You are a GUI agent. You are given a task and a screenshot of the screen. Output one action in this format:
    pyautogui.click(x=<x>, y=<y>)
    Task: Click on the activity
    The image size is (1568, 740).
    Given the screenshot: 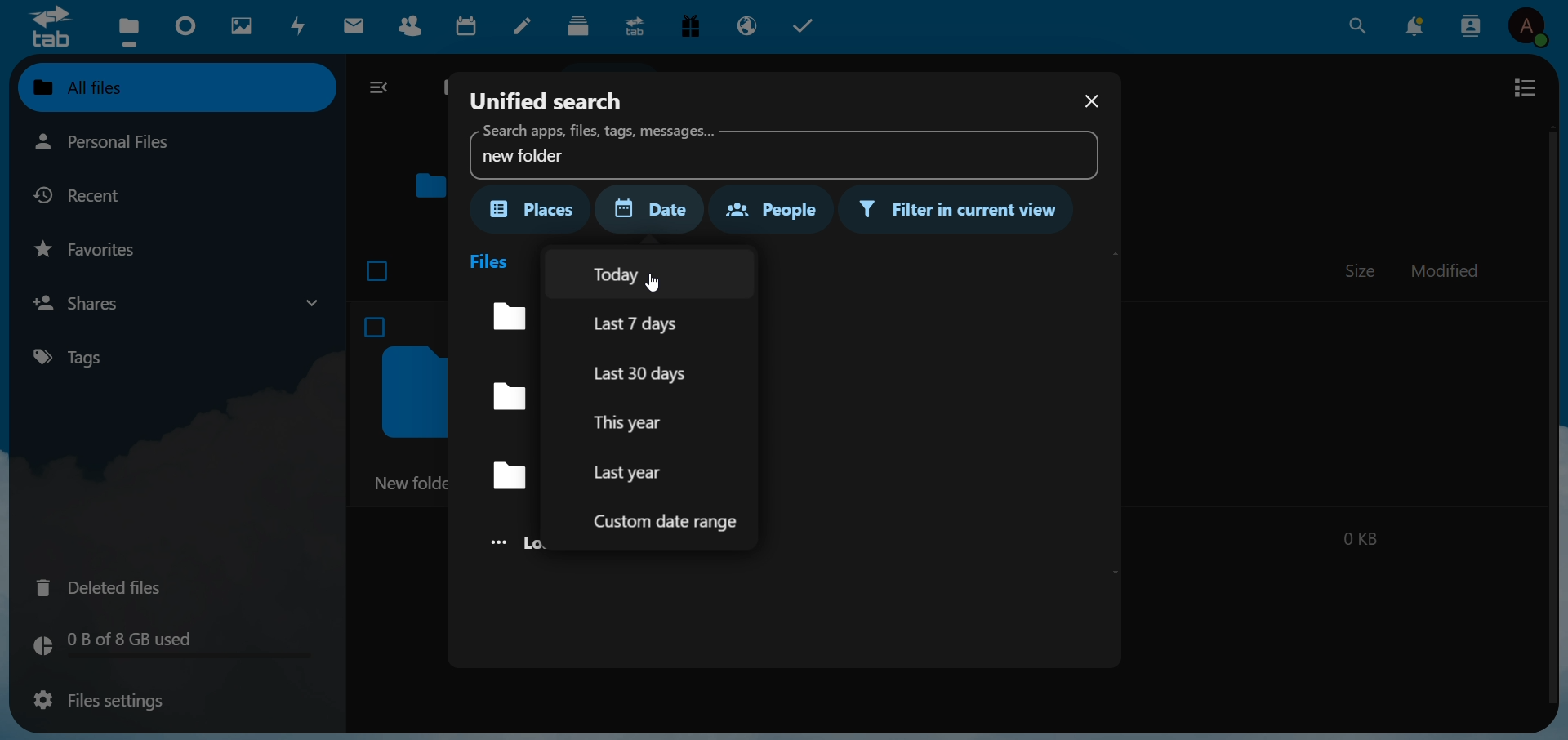 What is the action you would take?
    pyautogui.click(x=301, y=26)
    